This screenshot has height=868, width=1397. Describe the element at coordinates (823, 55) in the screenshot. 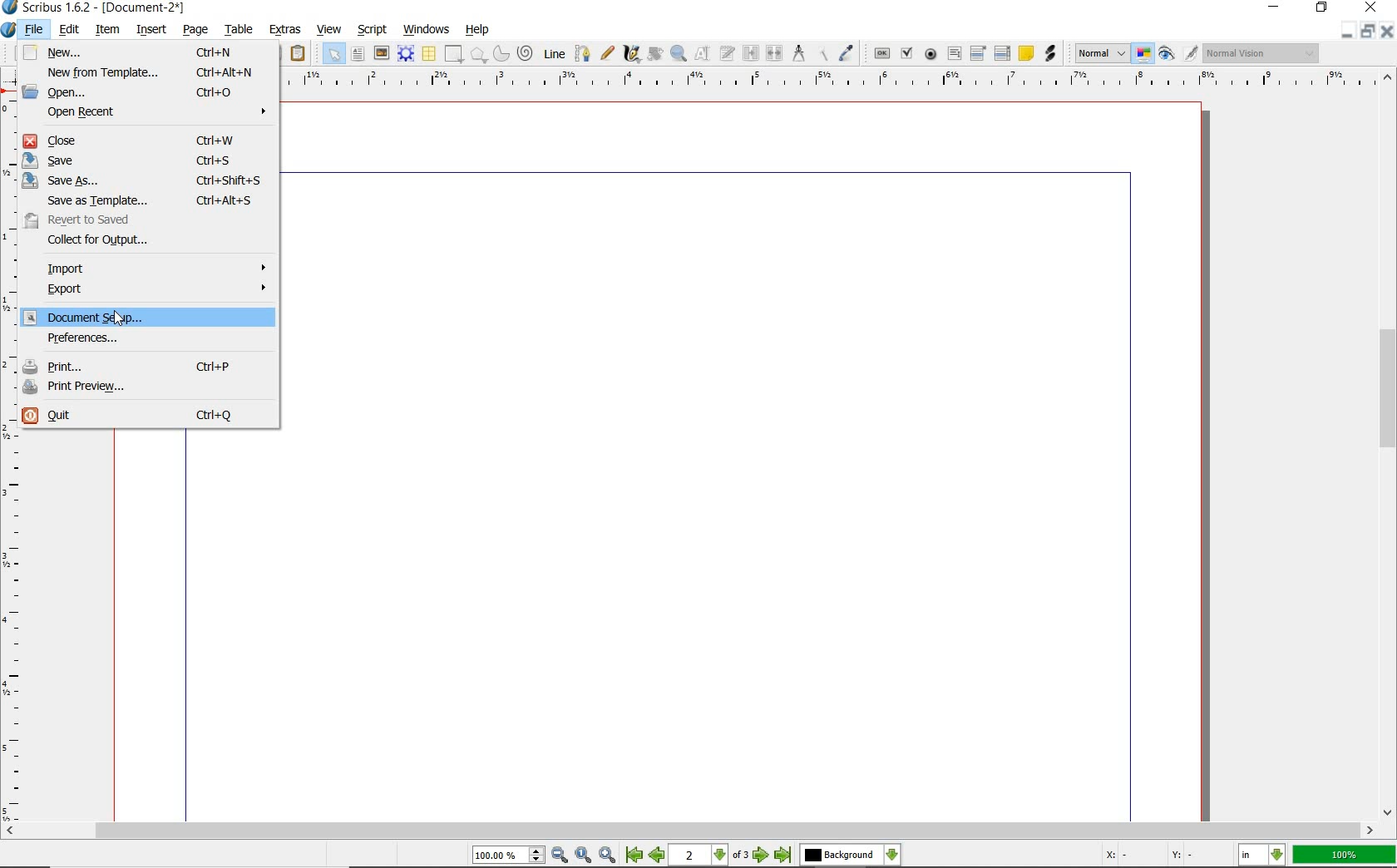

I see `copy item properties` at that location.